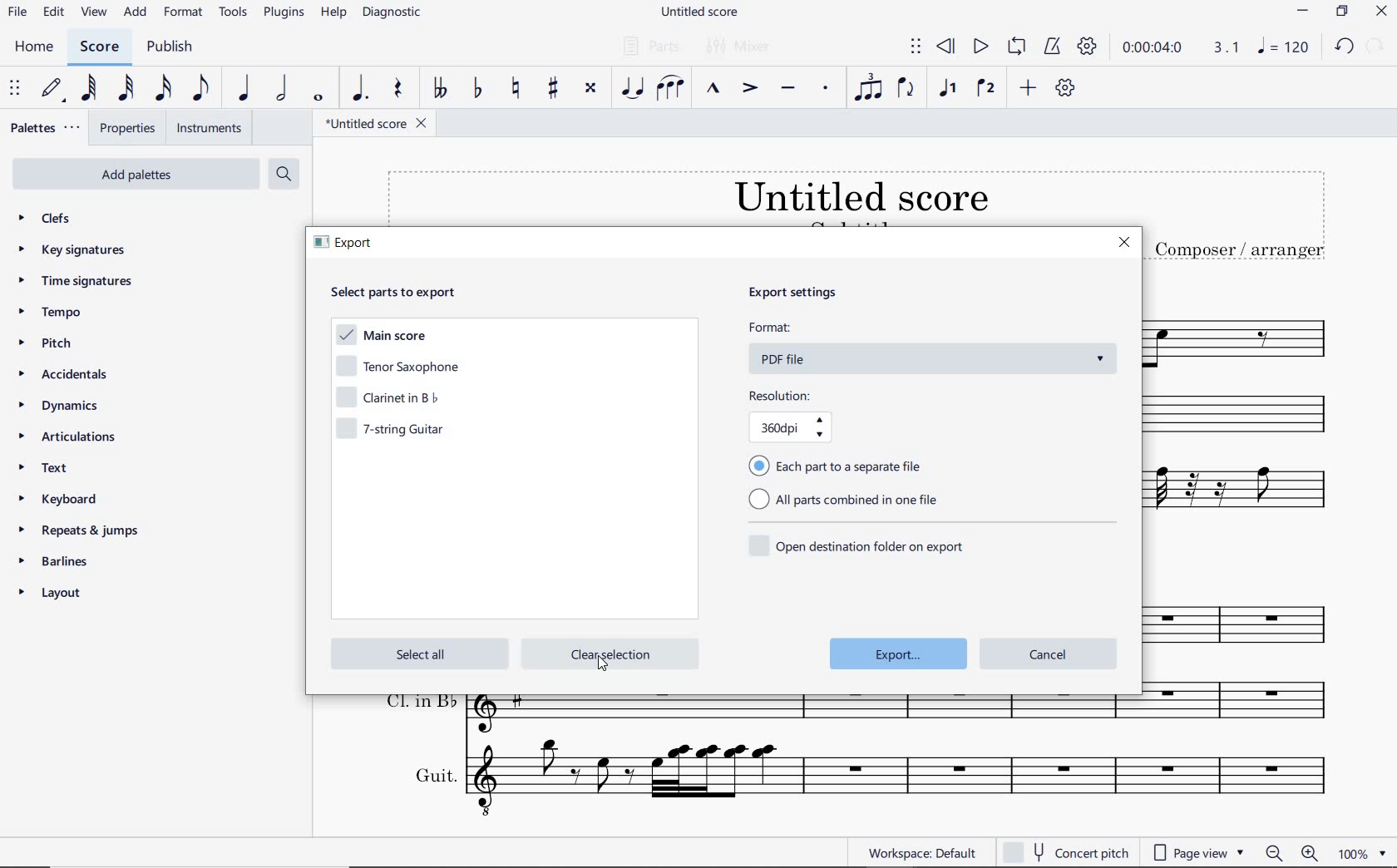 This screenshot has height=868, width=1397. What do you see at coordinates (915, 46) in the screenshot?
I see `SELECT TO MOVE` at bounding box center [915, 46].